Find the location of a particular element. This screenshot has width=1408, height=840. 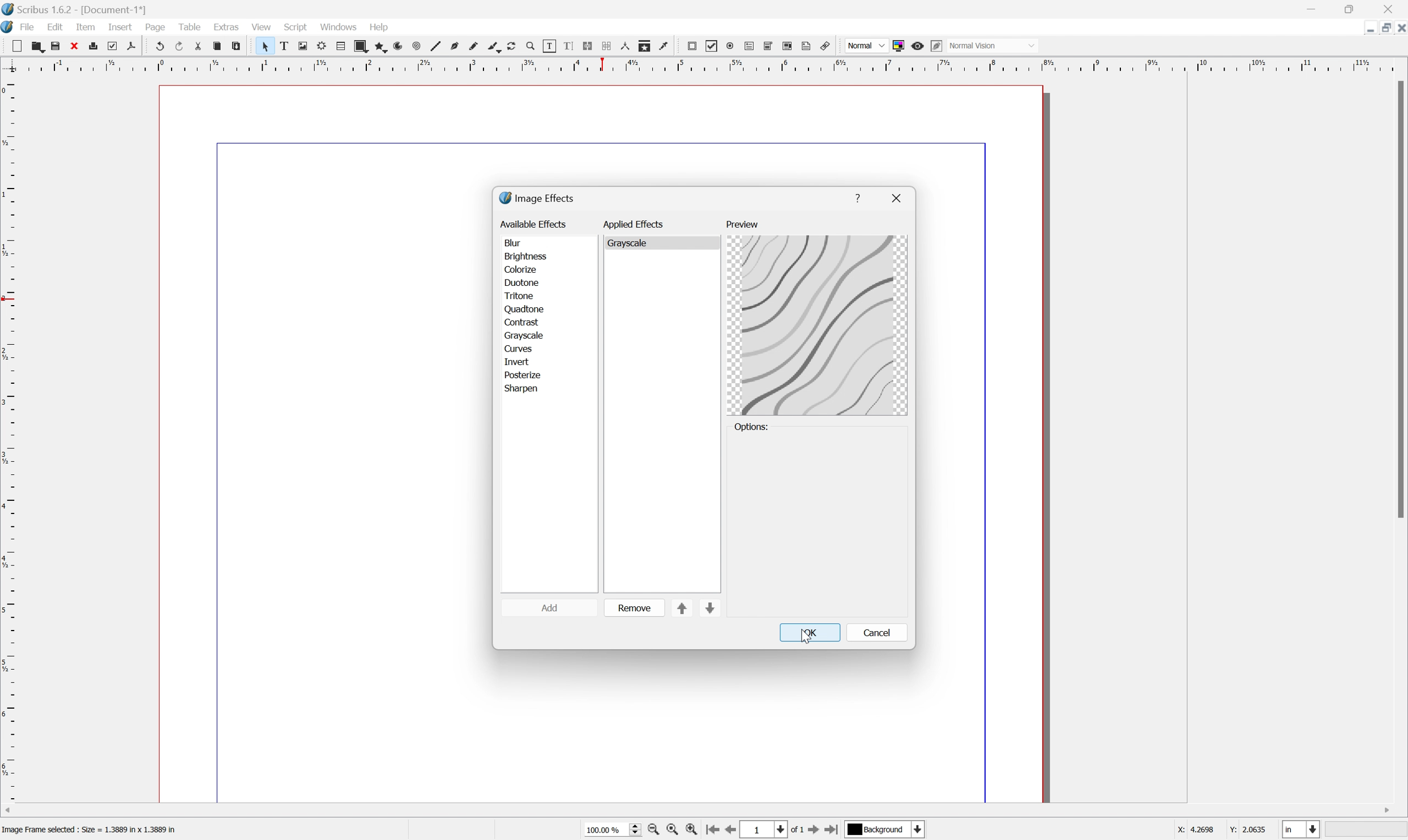

close is located at coordinates (898, 198).